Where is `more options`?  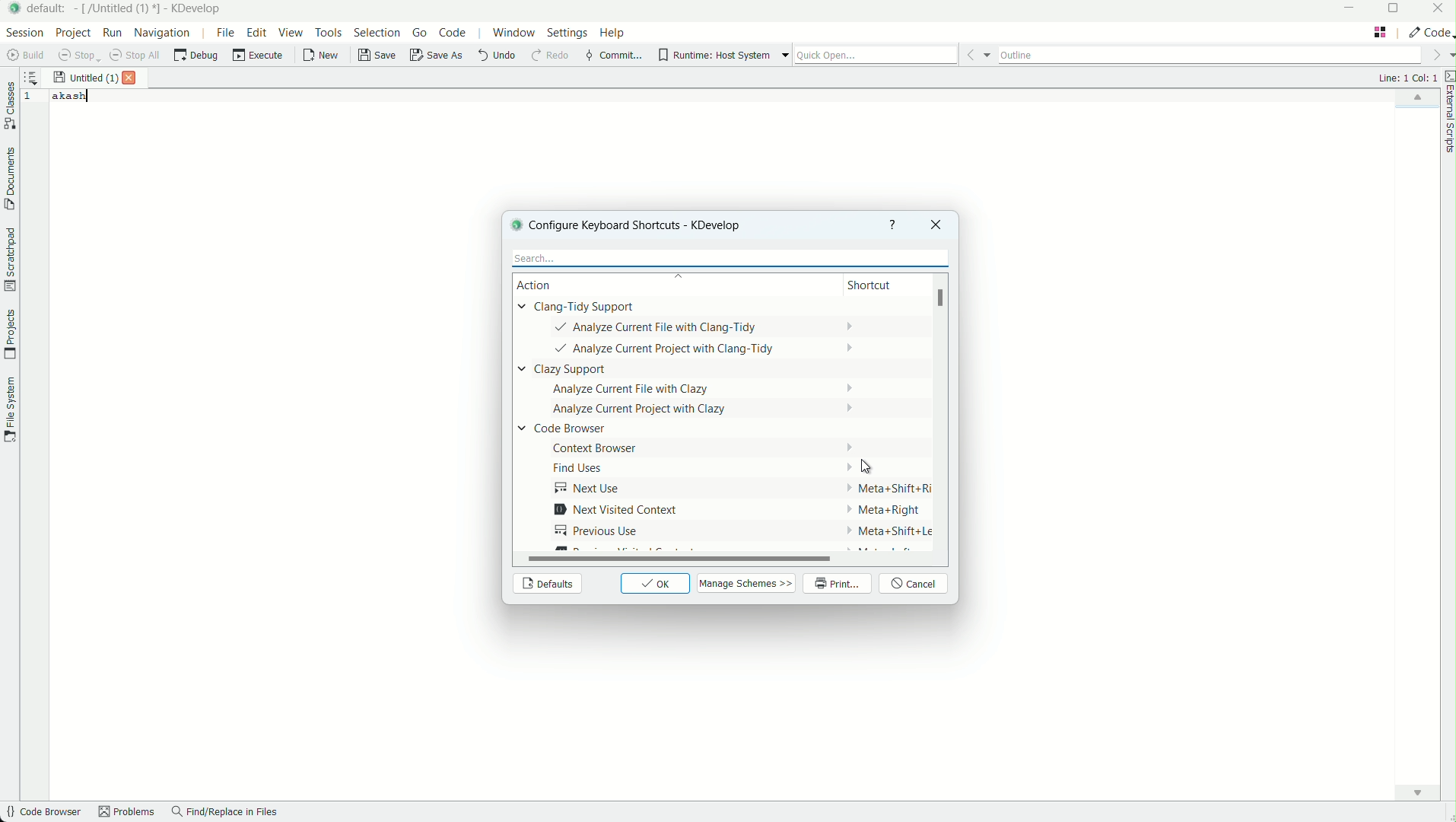
more options is located at coordinates (785, 56).